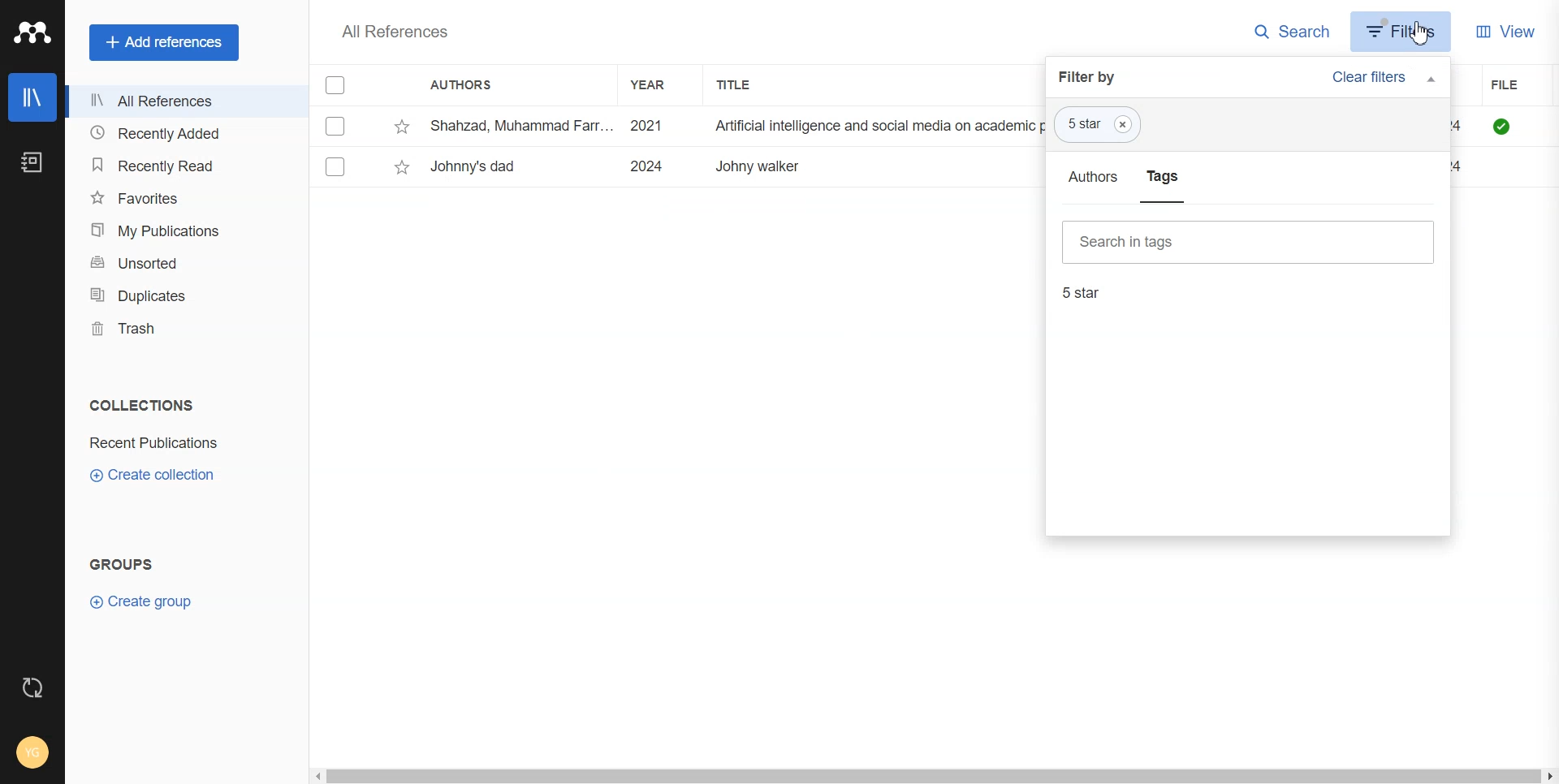 The height and width of the screenshot is (784, 1559). I want to click on Duplicates, so click(181, 295).